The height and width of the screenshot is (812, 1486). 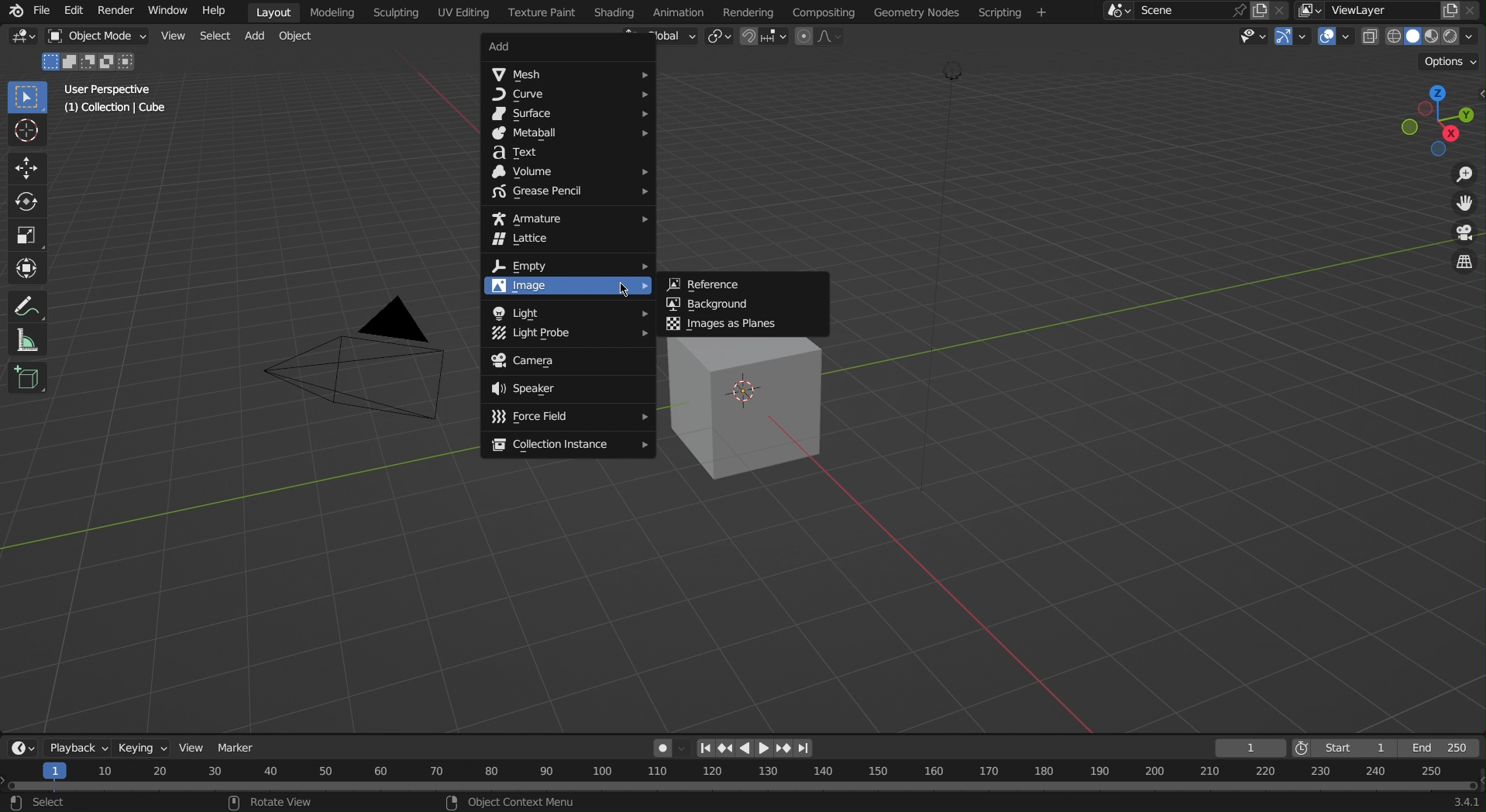 I want to click on Edit, so click(x=74, y=10).